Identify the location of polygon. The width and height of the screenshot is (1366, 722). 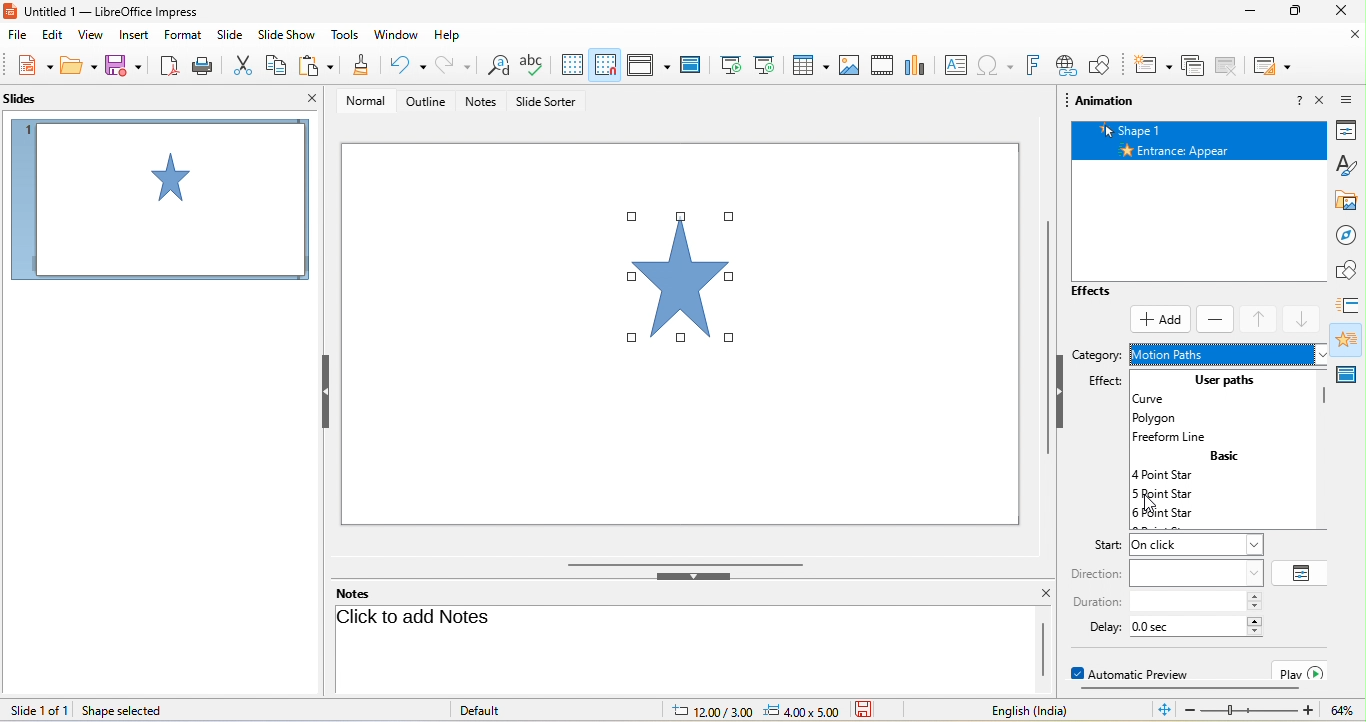
(1164, 418).